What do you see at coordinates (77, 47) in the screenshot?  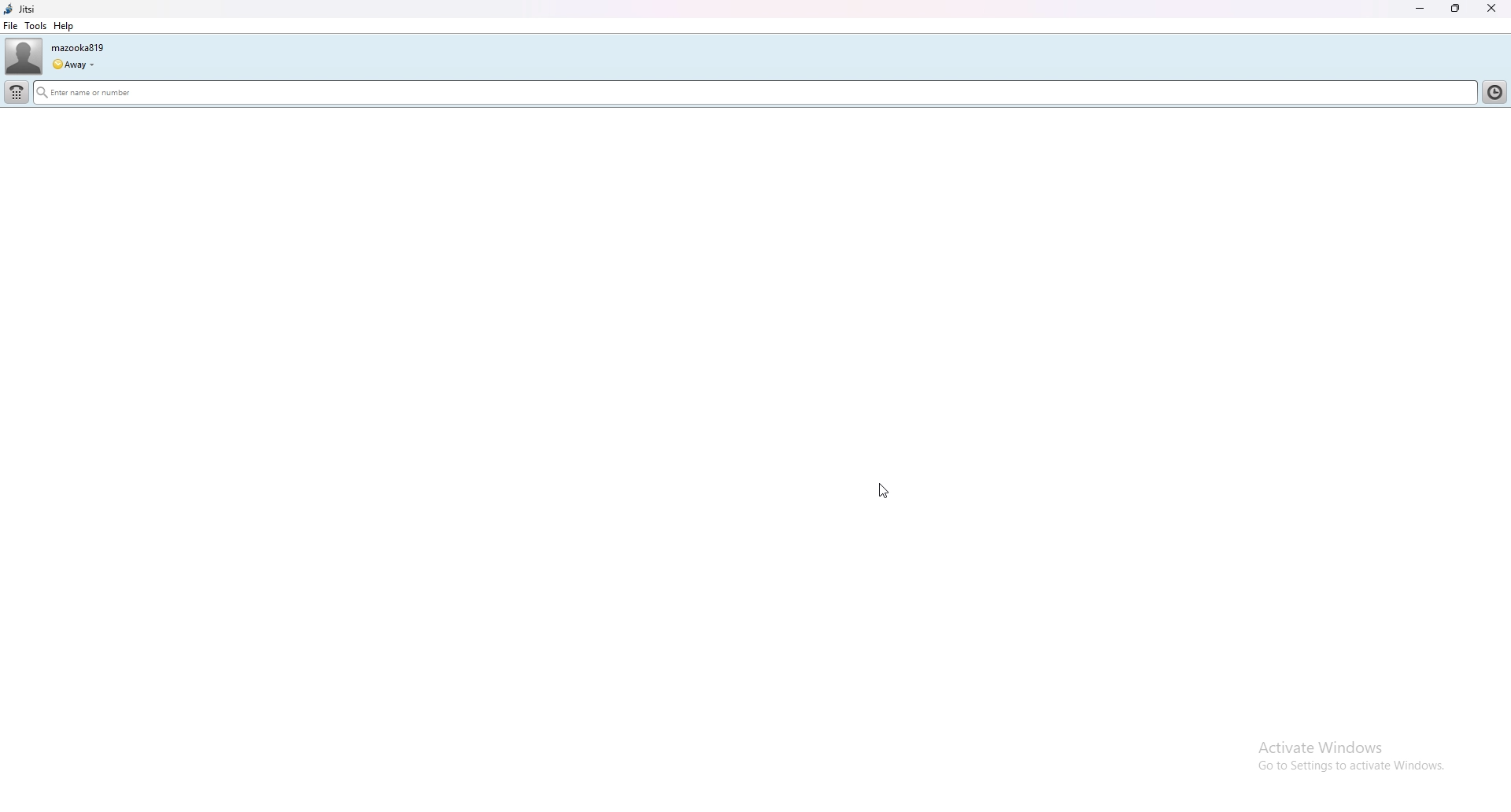 I see `username` at bounding box center [77, 47].